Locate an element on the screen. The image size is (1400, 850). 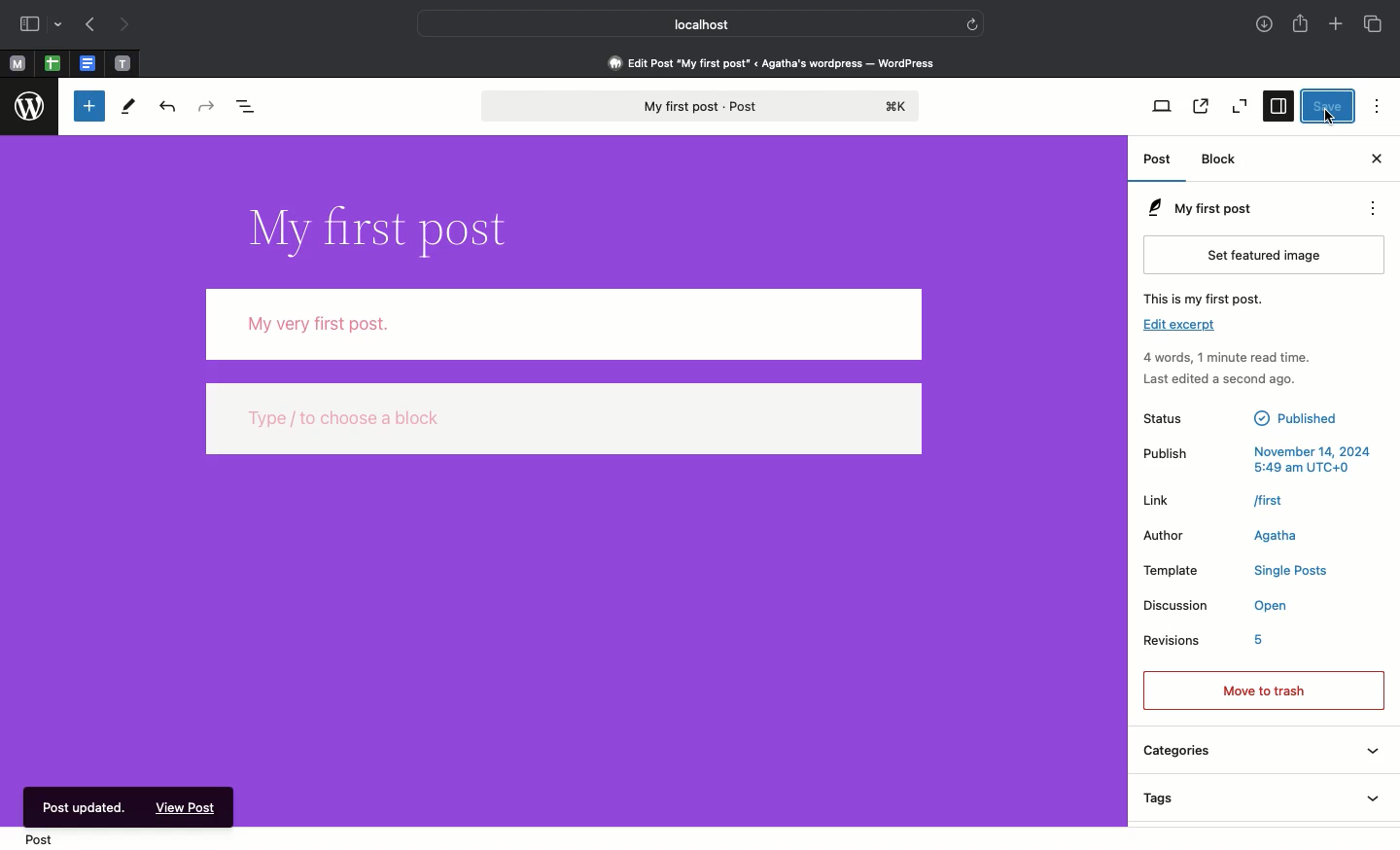
Tags is located at coordinates (1259, 798).